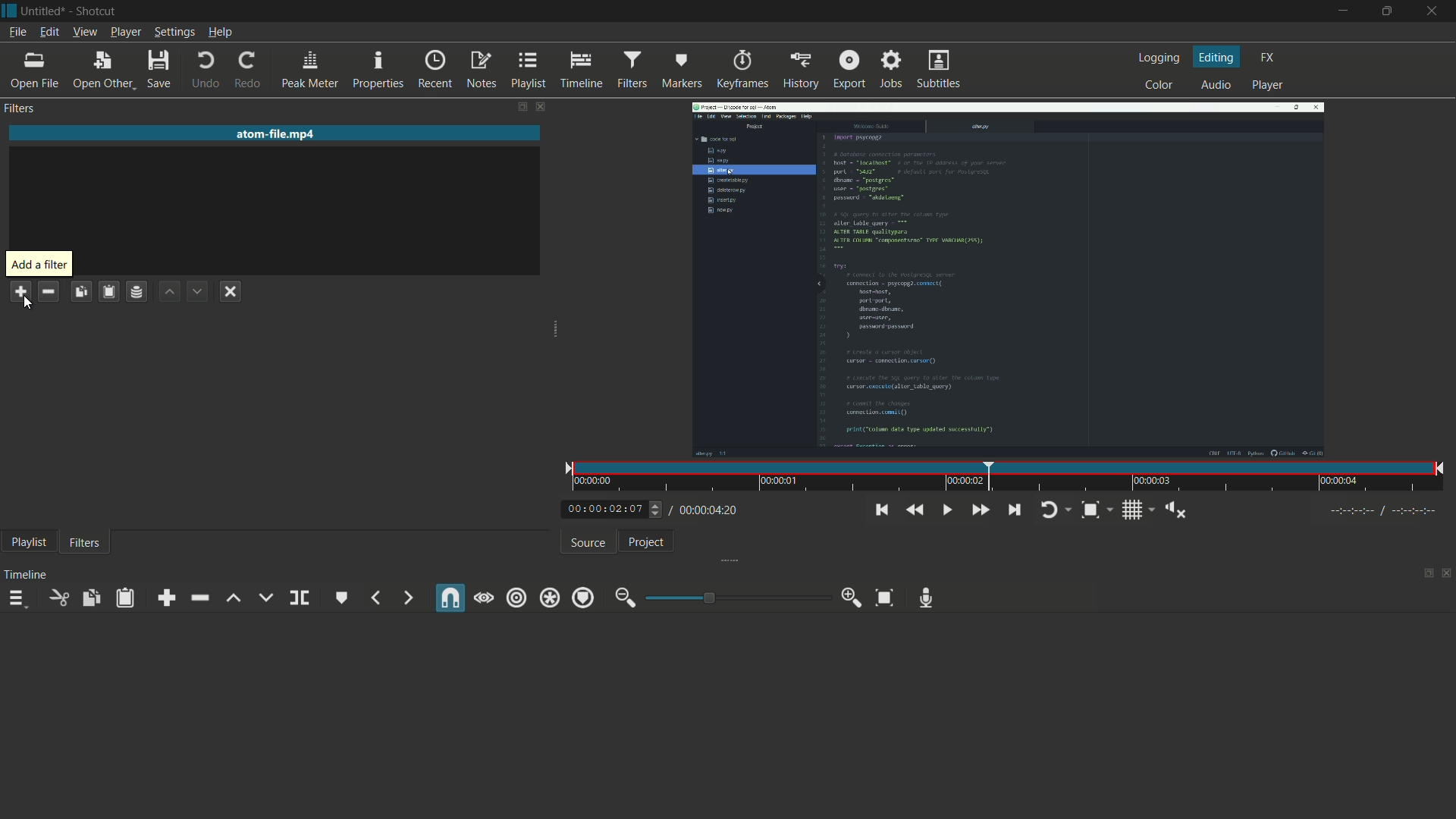 The height and width of the screenshot is (819, 1456). I want to click on quickly play forward, so click(981, 510).